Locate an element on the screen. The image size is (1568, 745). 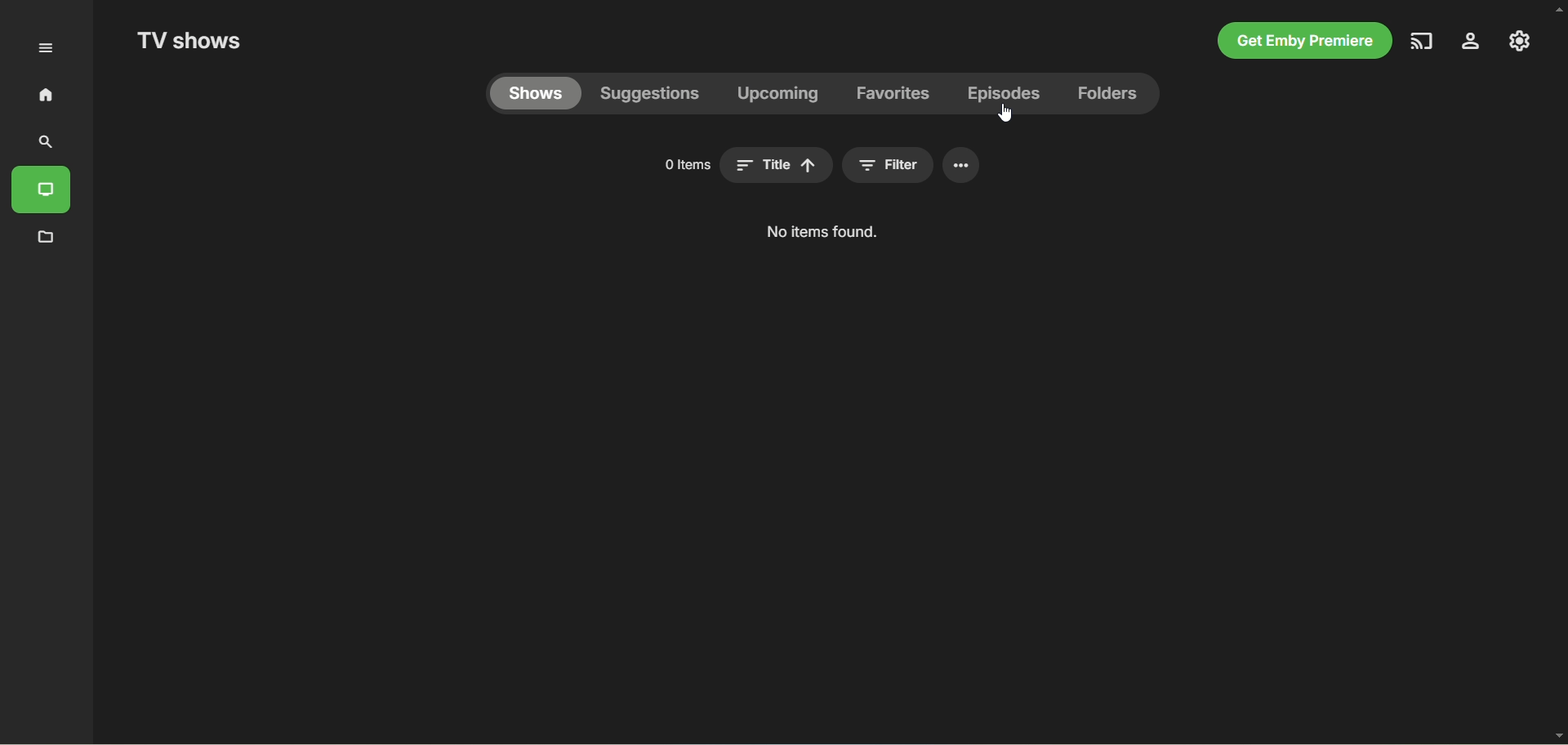
settings is located at coordinates (961, 165).